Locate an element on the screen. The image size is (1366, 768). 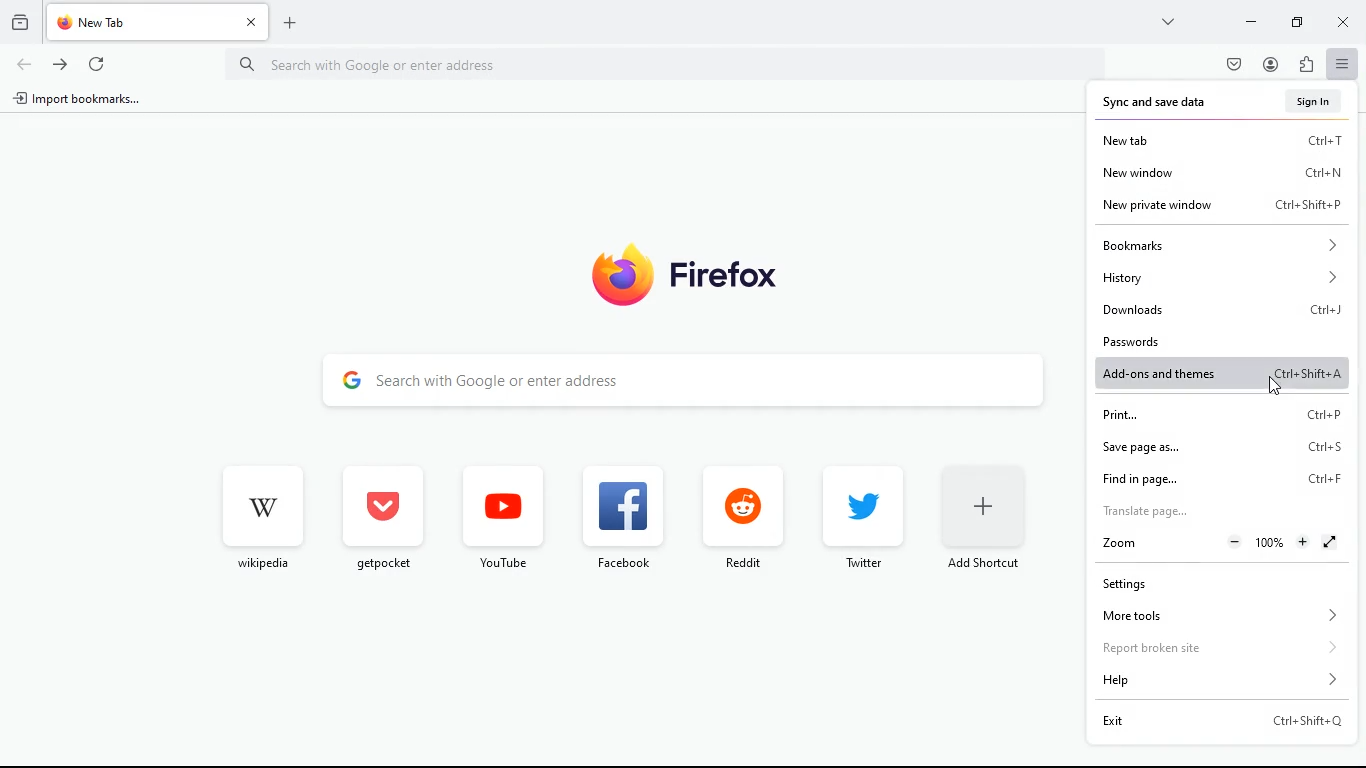
history is located at coordinates (1217, 275).